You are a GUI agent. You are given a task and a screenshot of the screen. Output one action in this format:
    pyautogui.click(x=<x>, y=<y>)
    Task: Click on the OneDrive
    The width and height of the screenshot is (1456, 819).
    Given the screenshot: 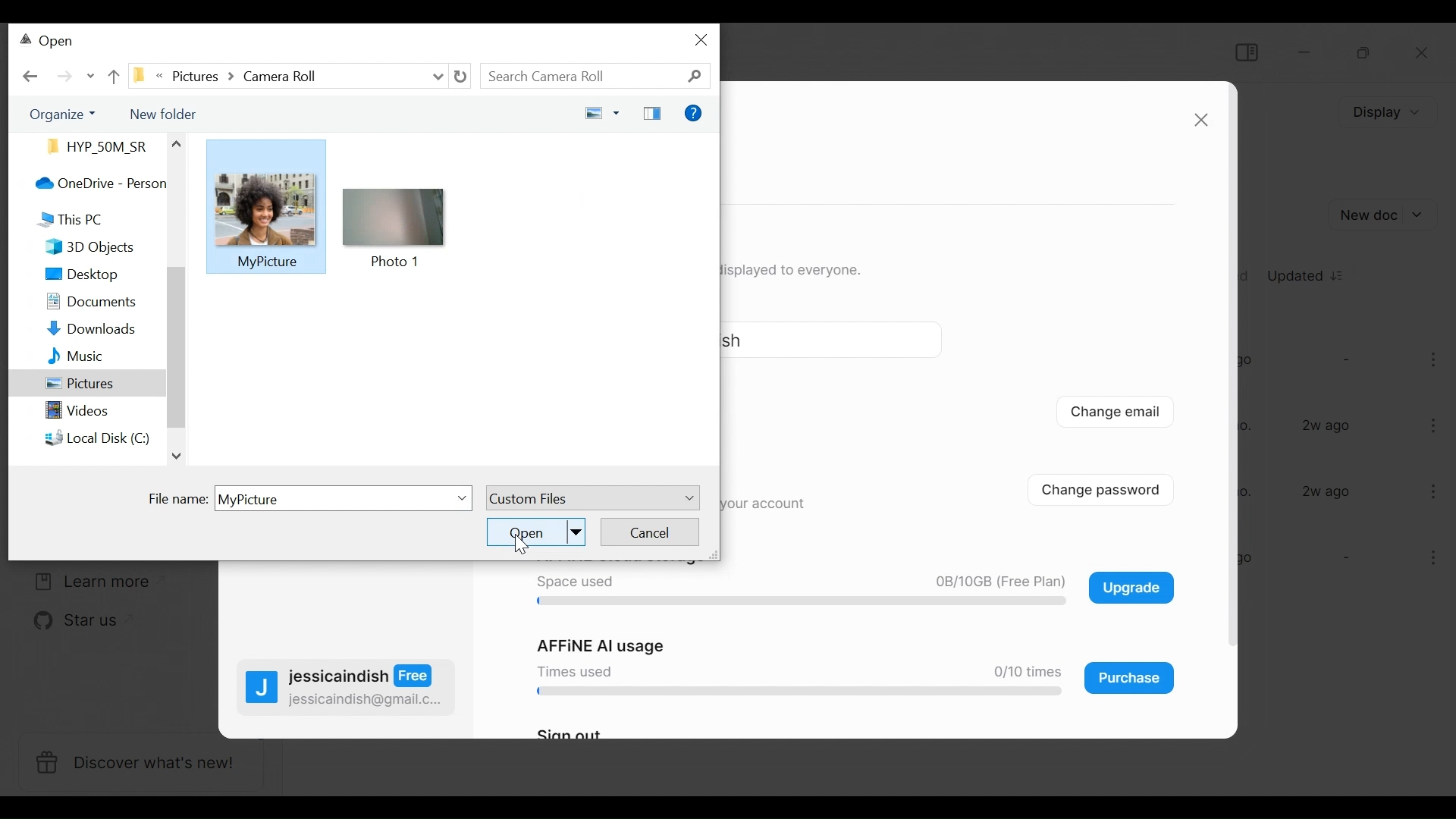 What is the action you would take?
    pyautogui.click(x=87, y=183)
    